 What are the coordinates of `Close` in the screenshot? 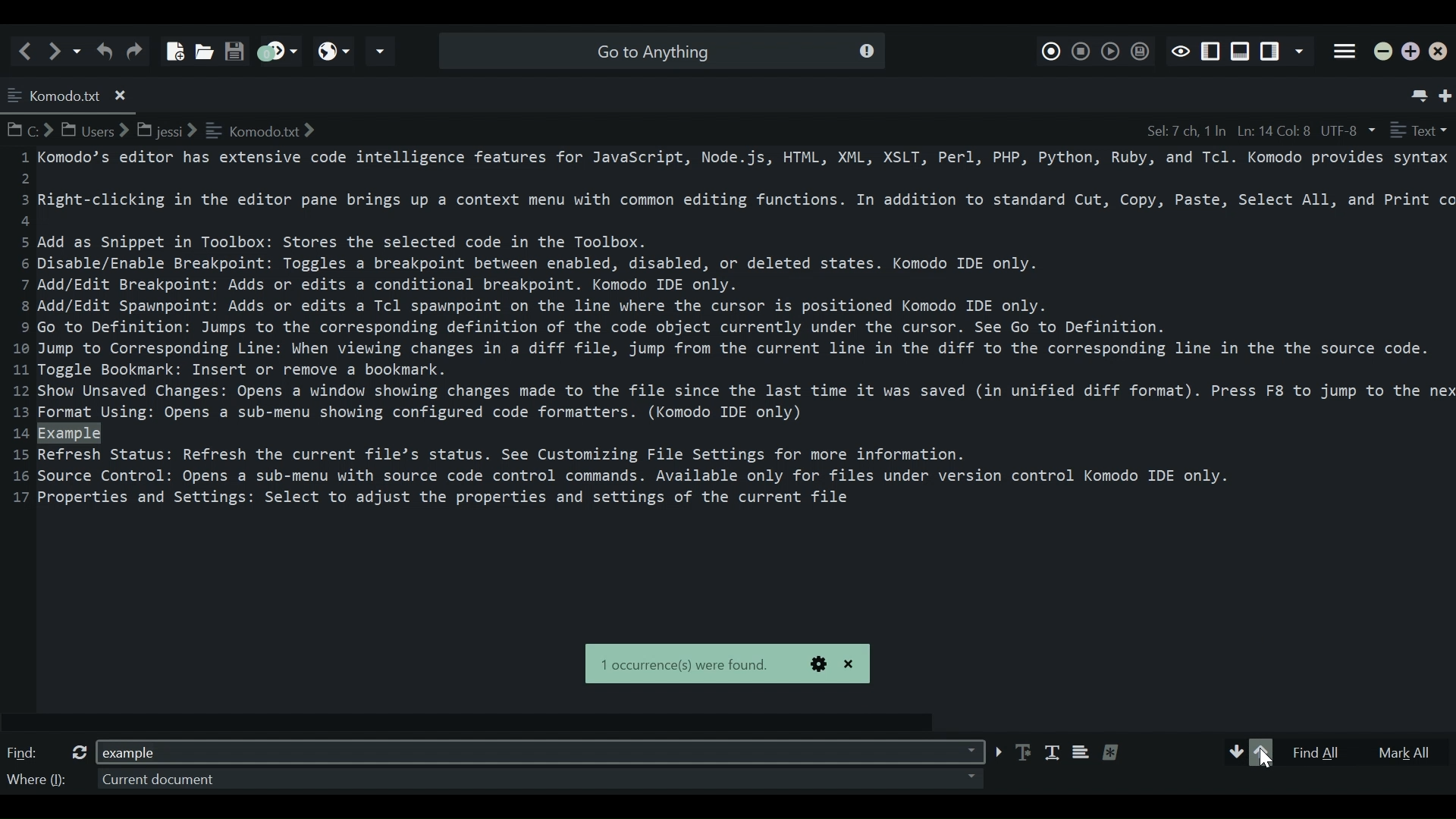 It's located at (1442, 54).